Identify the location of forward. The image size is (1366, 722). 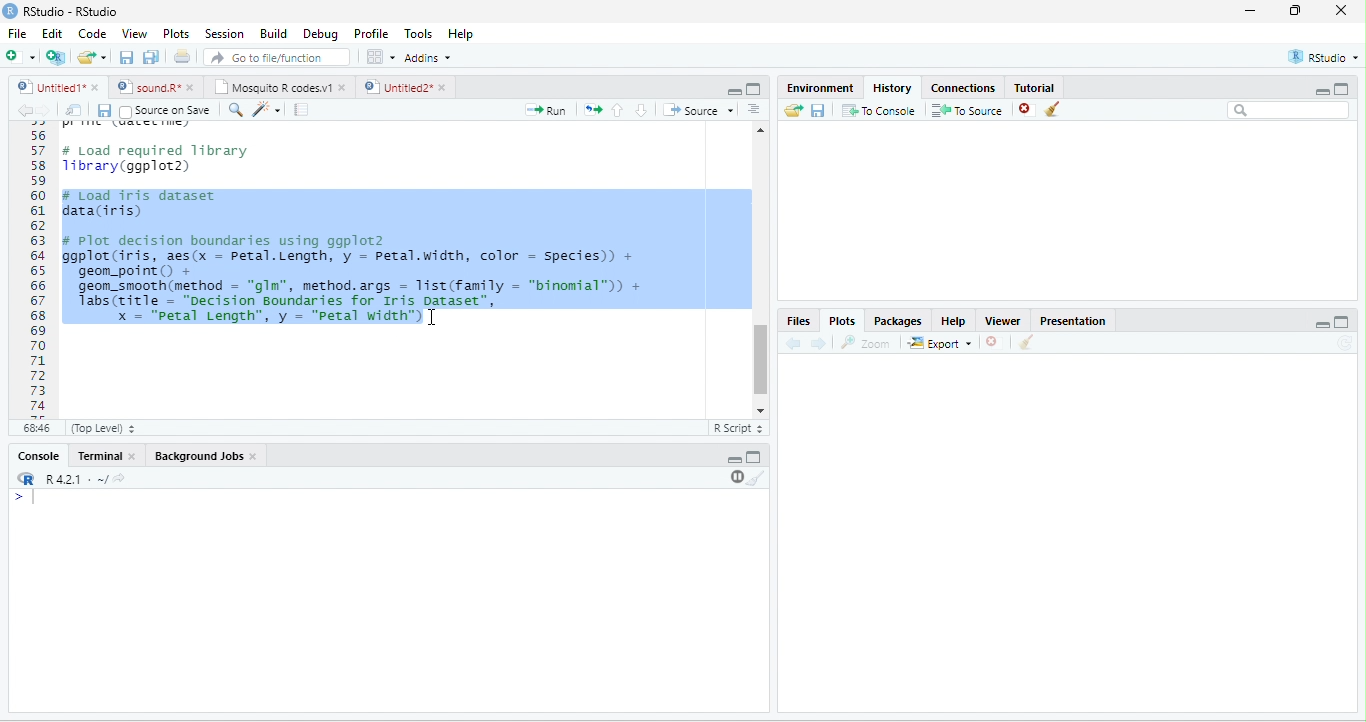
(46, 111).